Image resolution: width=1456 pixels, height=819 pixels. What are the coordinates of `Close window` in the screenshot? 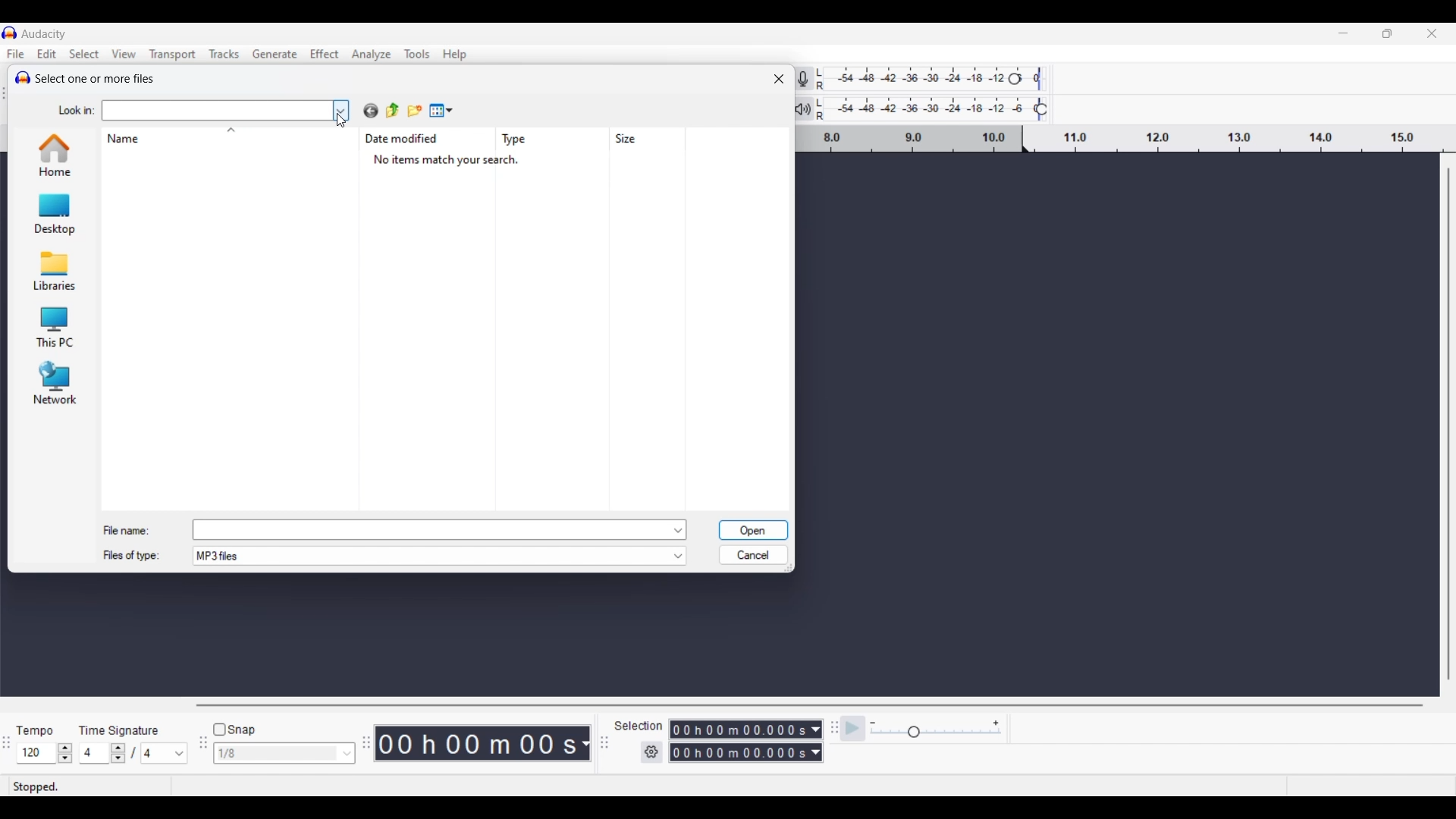 It's located at (779, 79).